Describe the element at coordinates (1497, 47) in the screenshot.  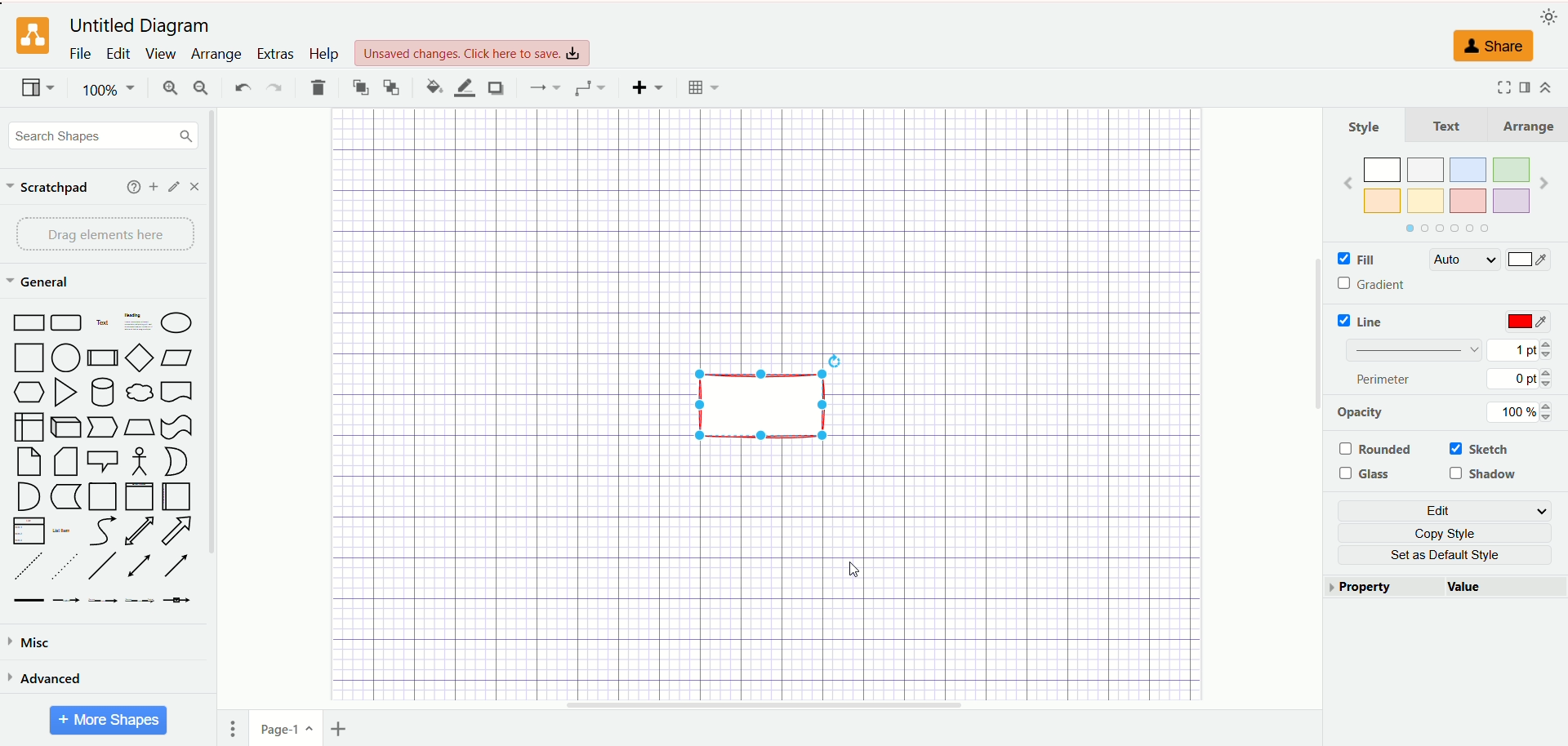
I see `share` at that location.